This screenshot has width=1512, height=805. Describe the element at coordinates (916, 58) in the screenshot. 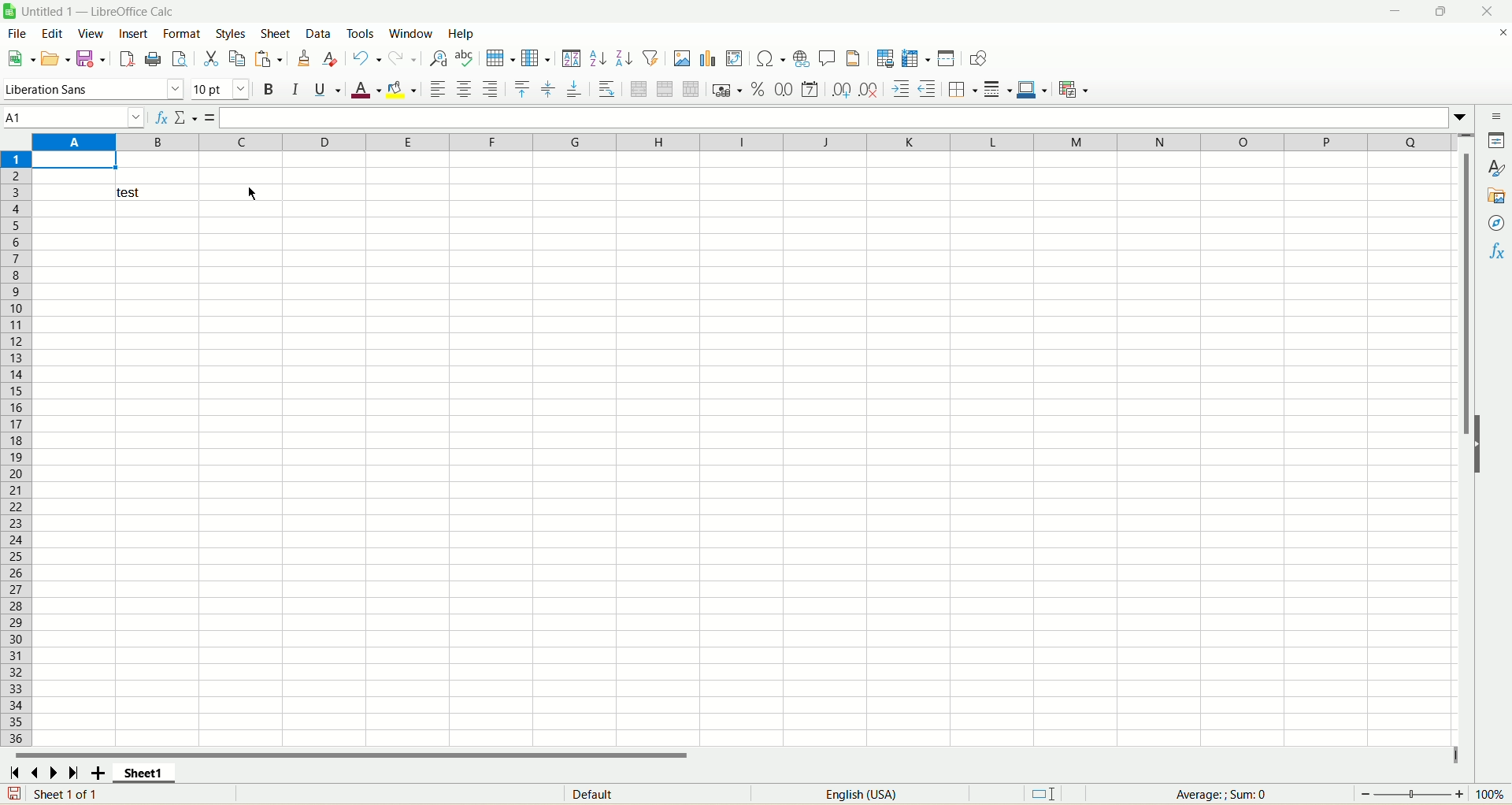

I see `Freeze rows and columns` at that location.